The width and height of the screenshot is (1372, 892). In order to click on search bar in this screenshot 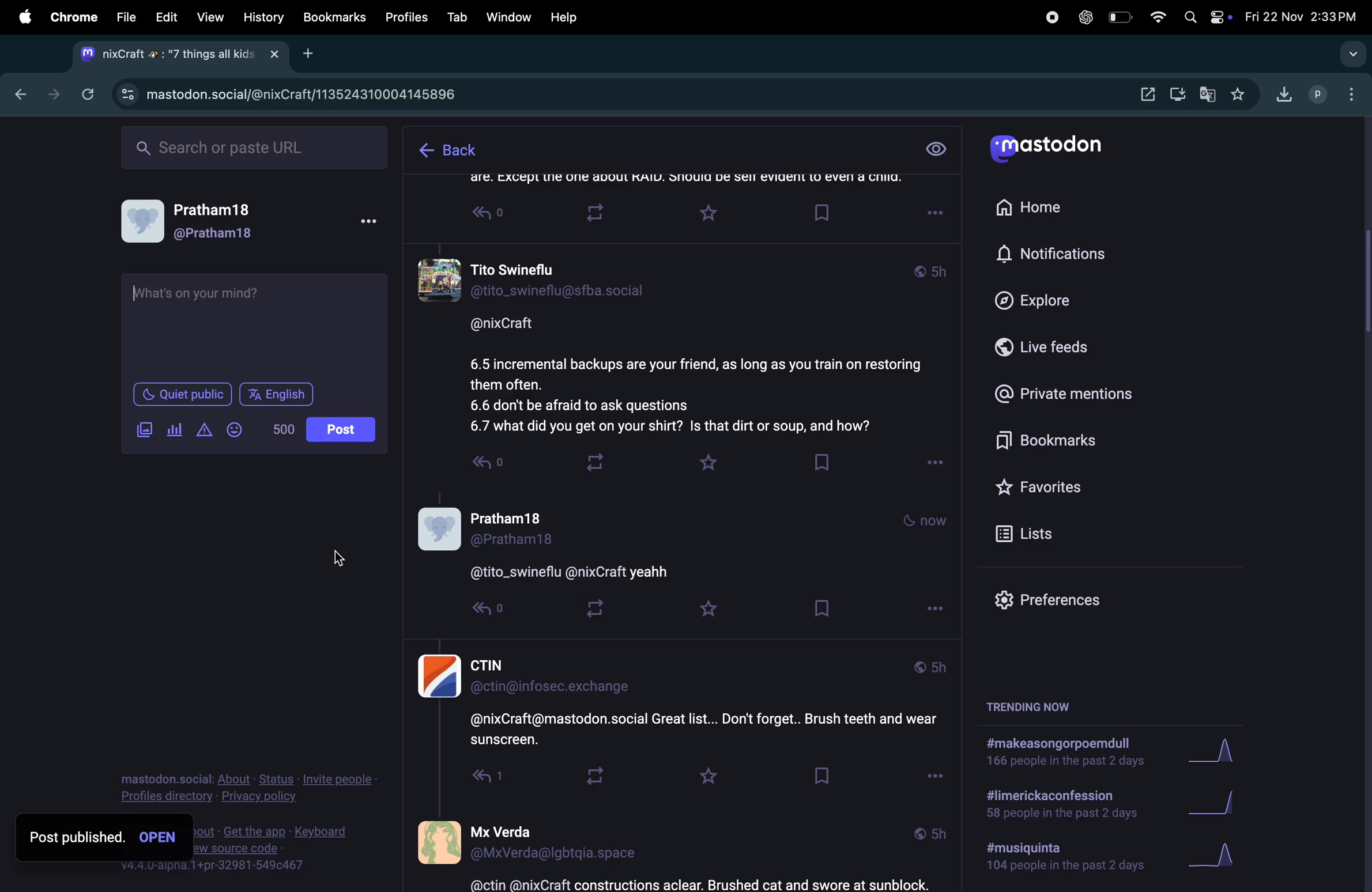, I will do `click(254, 149)`.